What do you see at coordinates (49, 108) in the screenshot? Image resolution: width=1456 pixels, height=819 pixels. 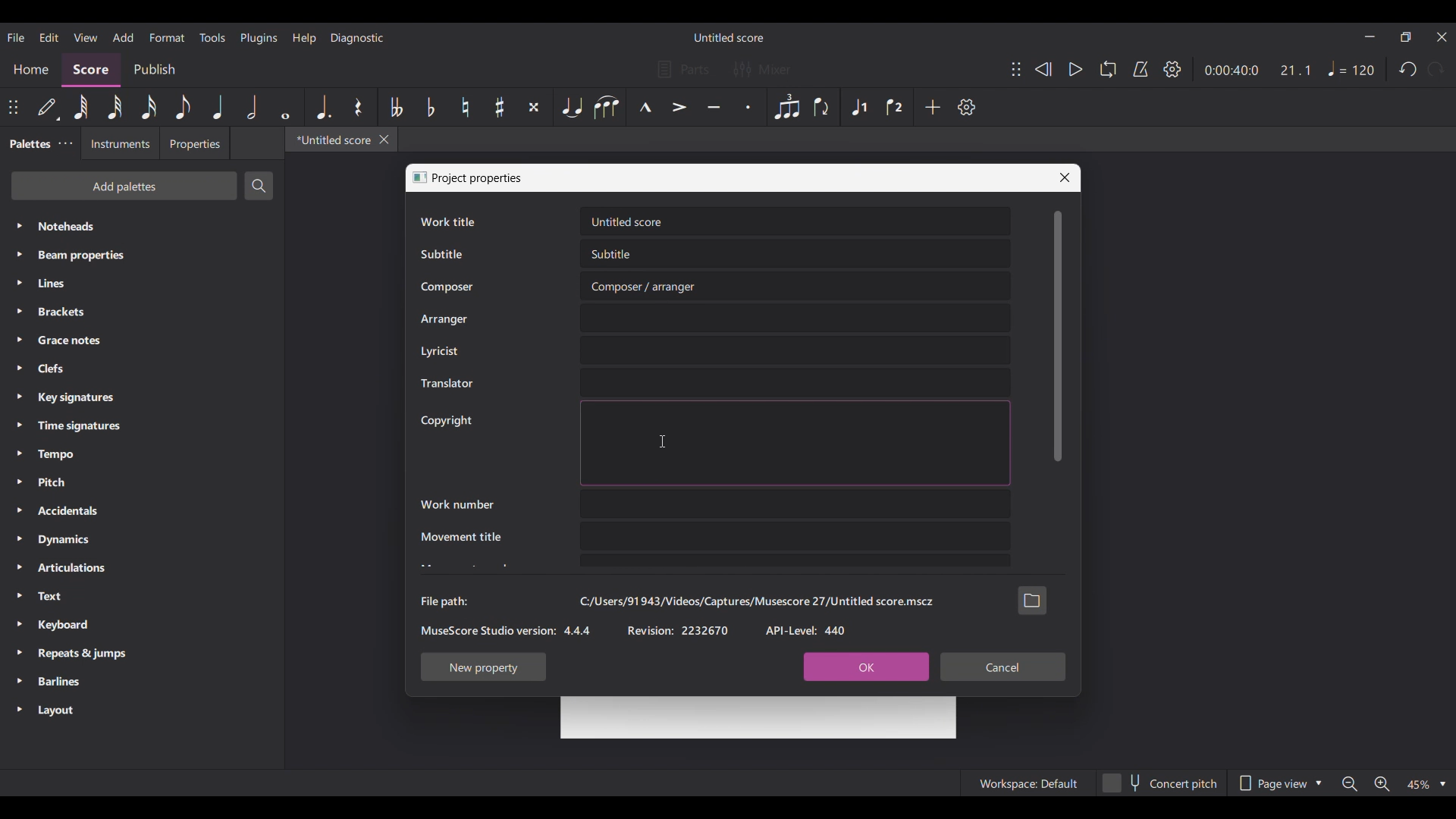 I see `Default` at bounding box center [49, 108].